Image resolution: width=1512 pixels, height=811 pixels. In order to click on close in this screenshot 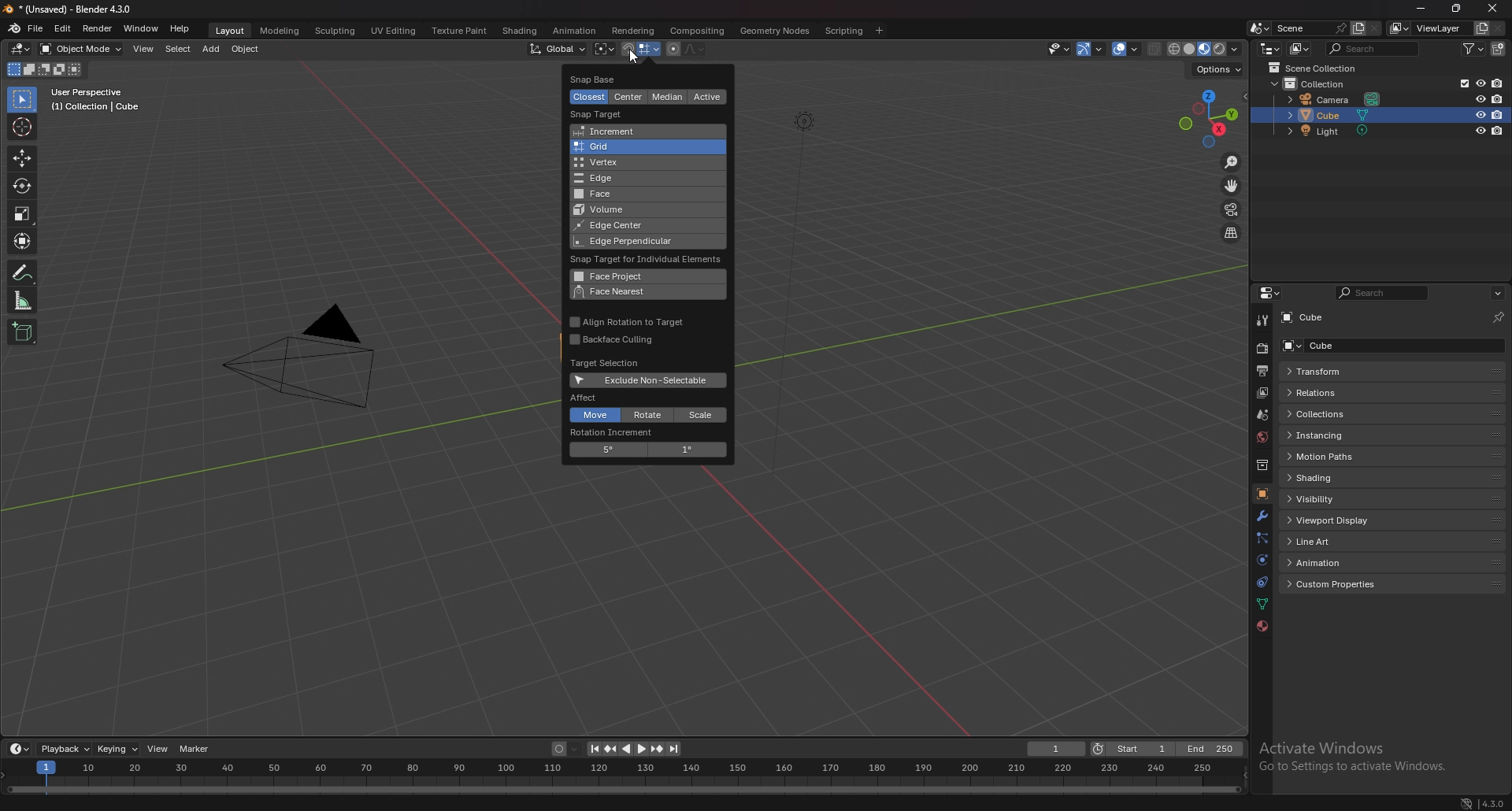, I will do `click(1492, 7)`.